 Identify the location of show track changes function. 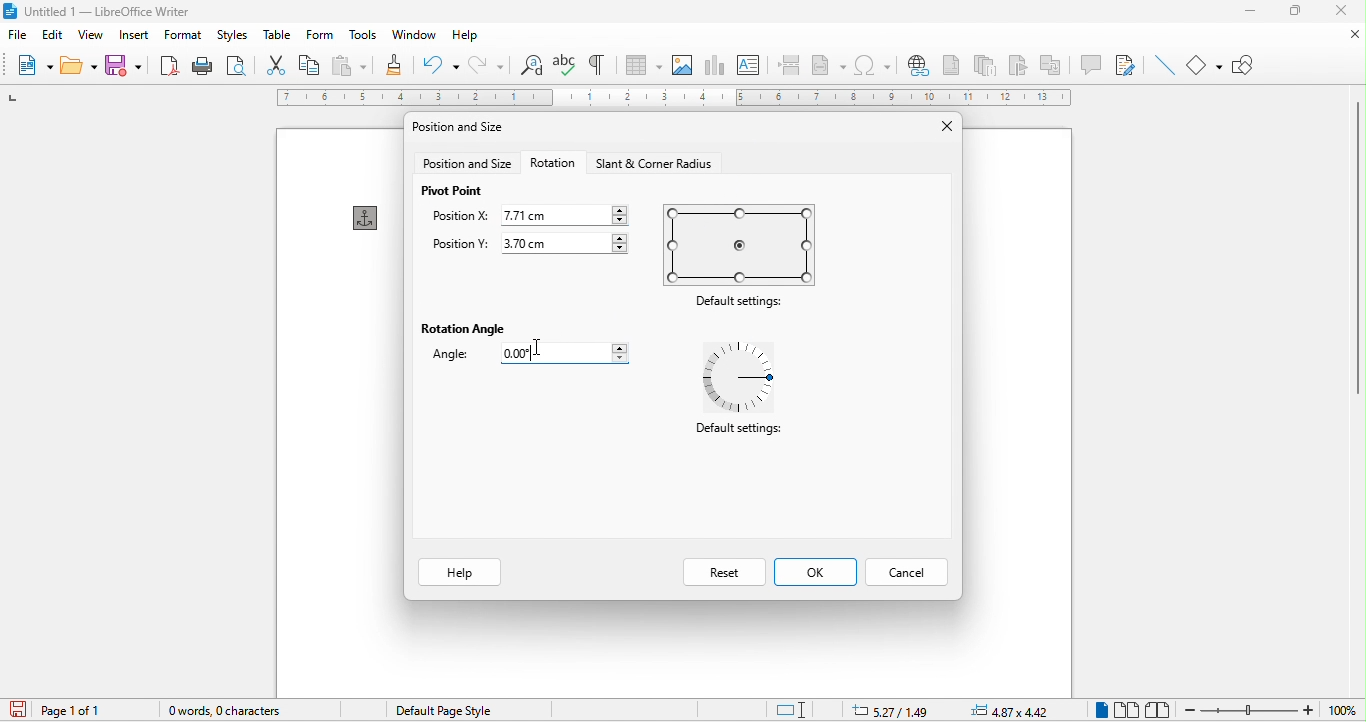
(1125, 64).